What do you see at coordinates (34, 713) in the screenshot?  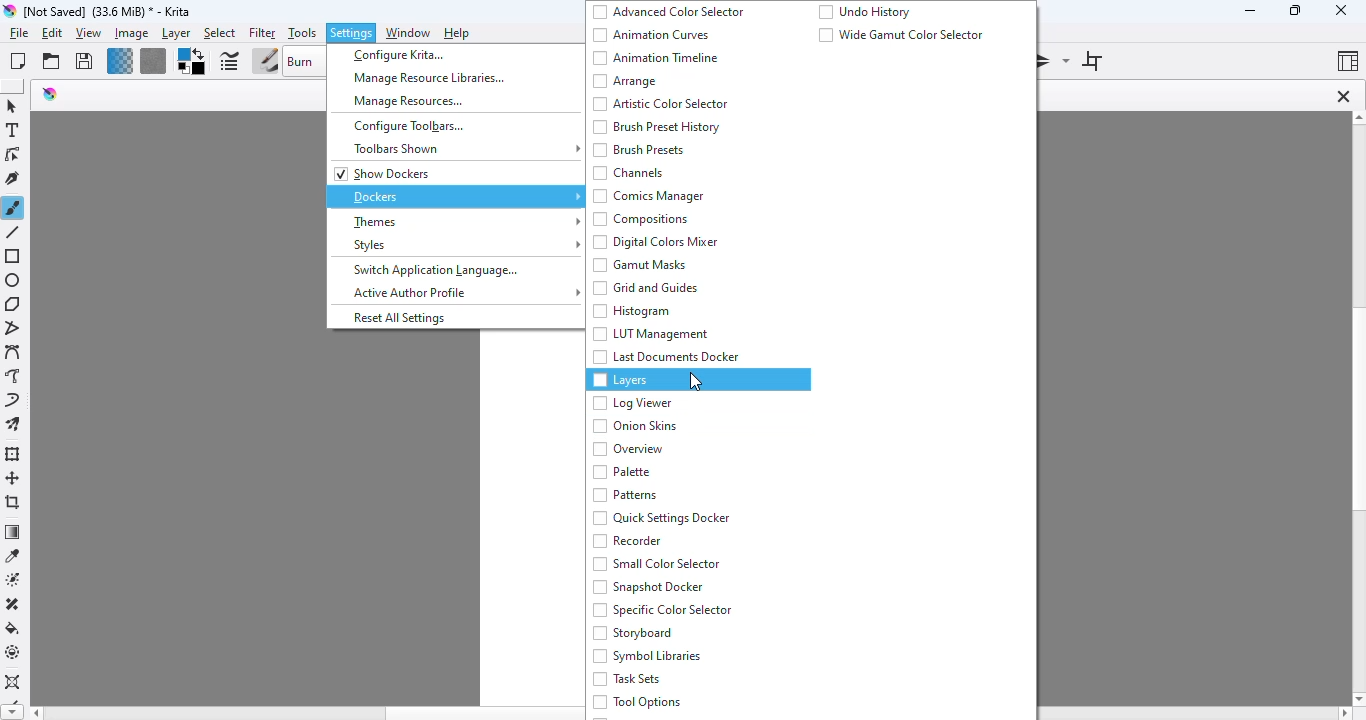 I see `scroll left` at bounding box center [34, 713].